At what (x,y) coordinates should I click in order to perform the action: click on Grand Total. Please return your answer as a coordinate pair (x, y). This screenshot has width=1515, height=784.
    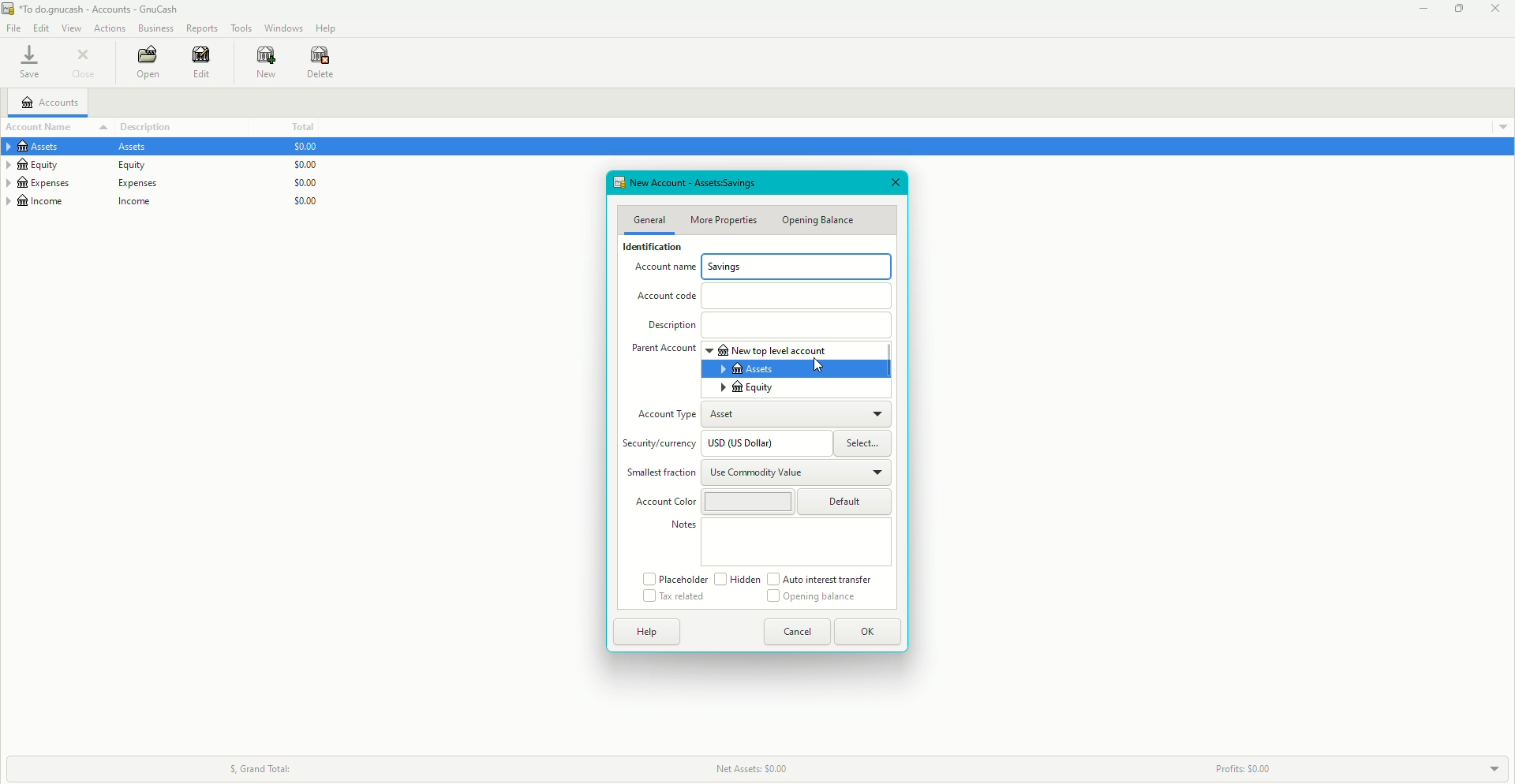
    Looking at the image, I should click on (258, 766).